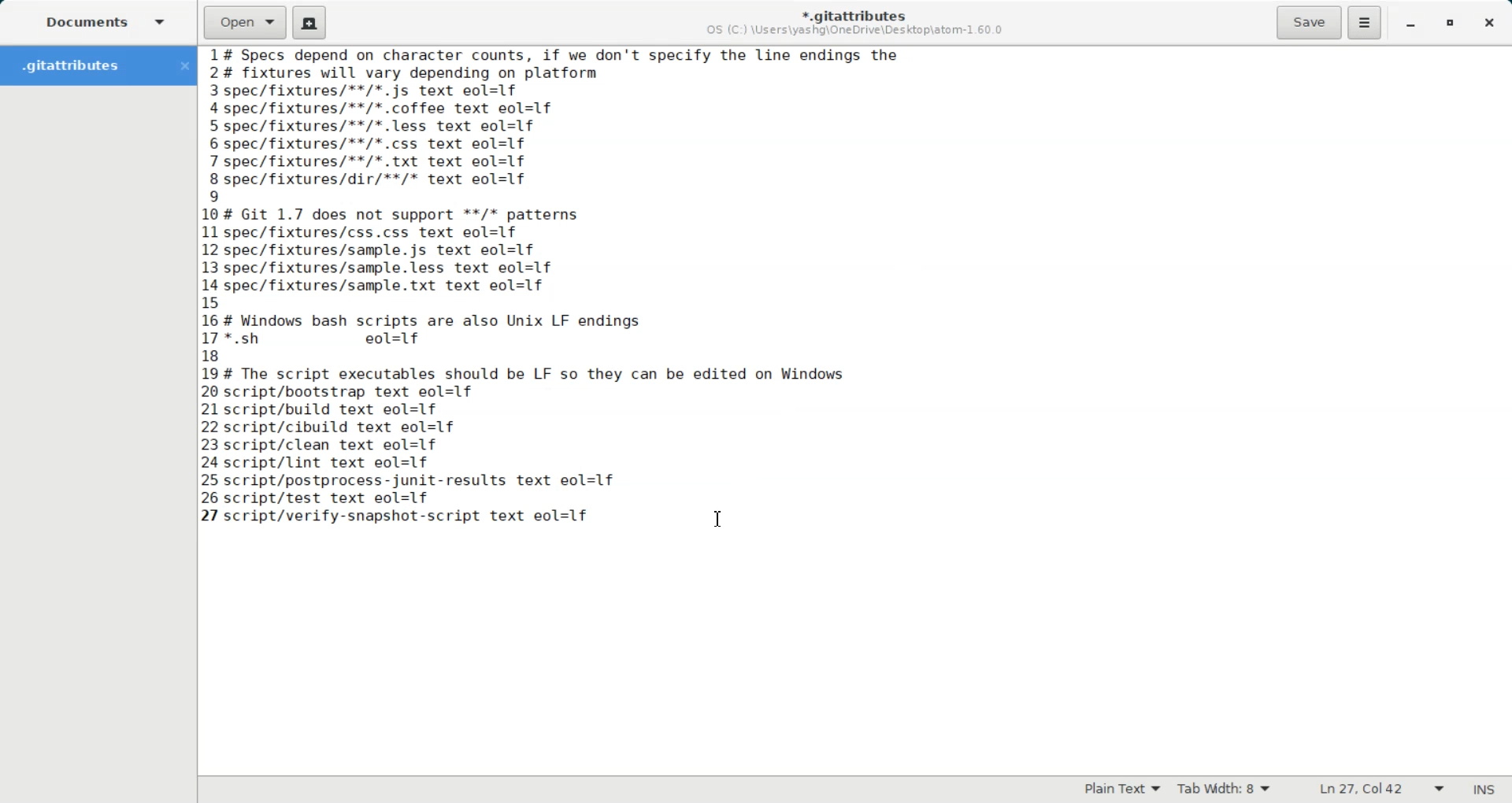 This screenshot has width=1512, height=803. I want to click on Maximize, so click(1451, 24).